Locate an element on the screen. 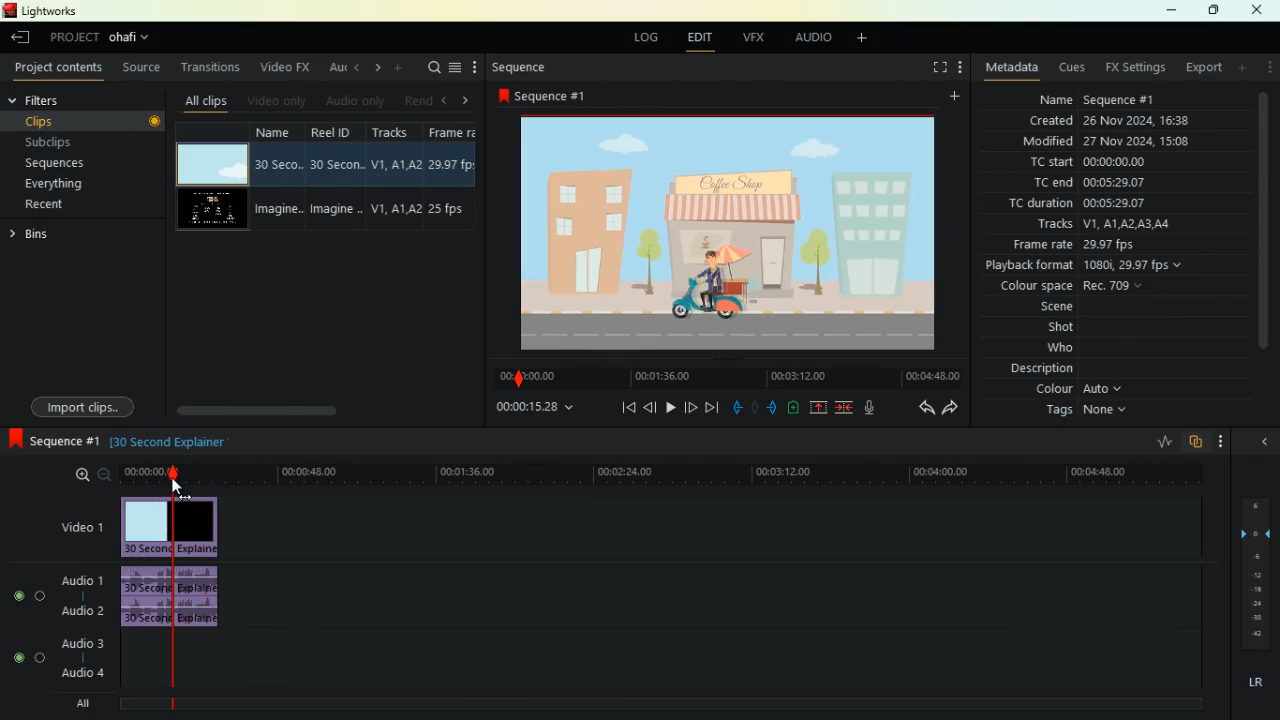 Image resolution: width=1280 pixels, height=720 pixels. cues is located at coordinates (1074, 67).